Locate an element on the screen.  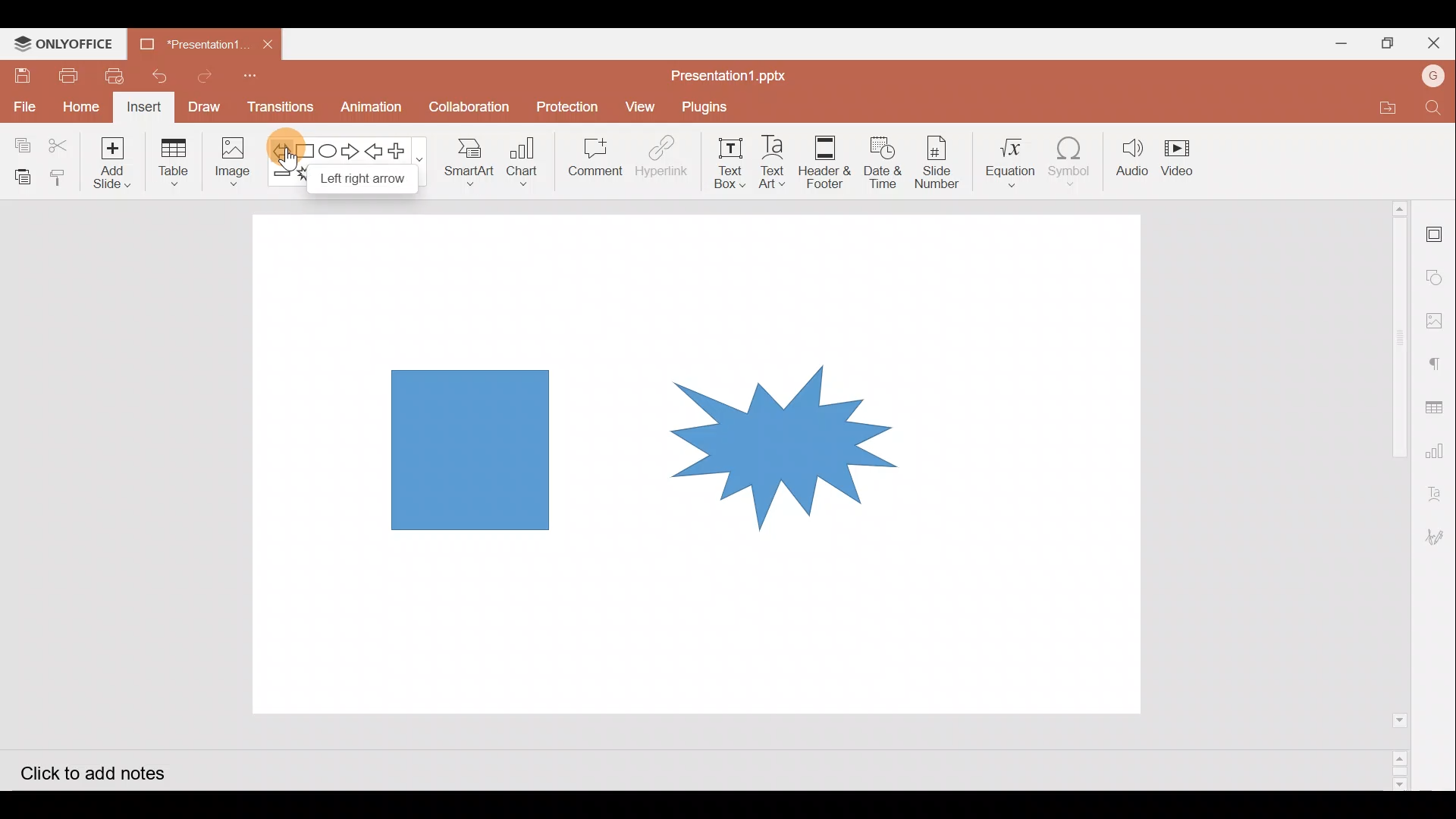
Signature settings is located at coordinates (1439, 539).